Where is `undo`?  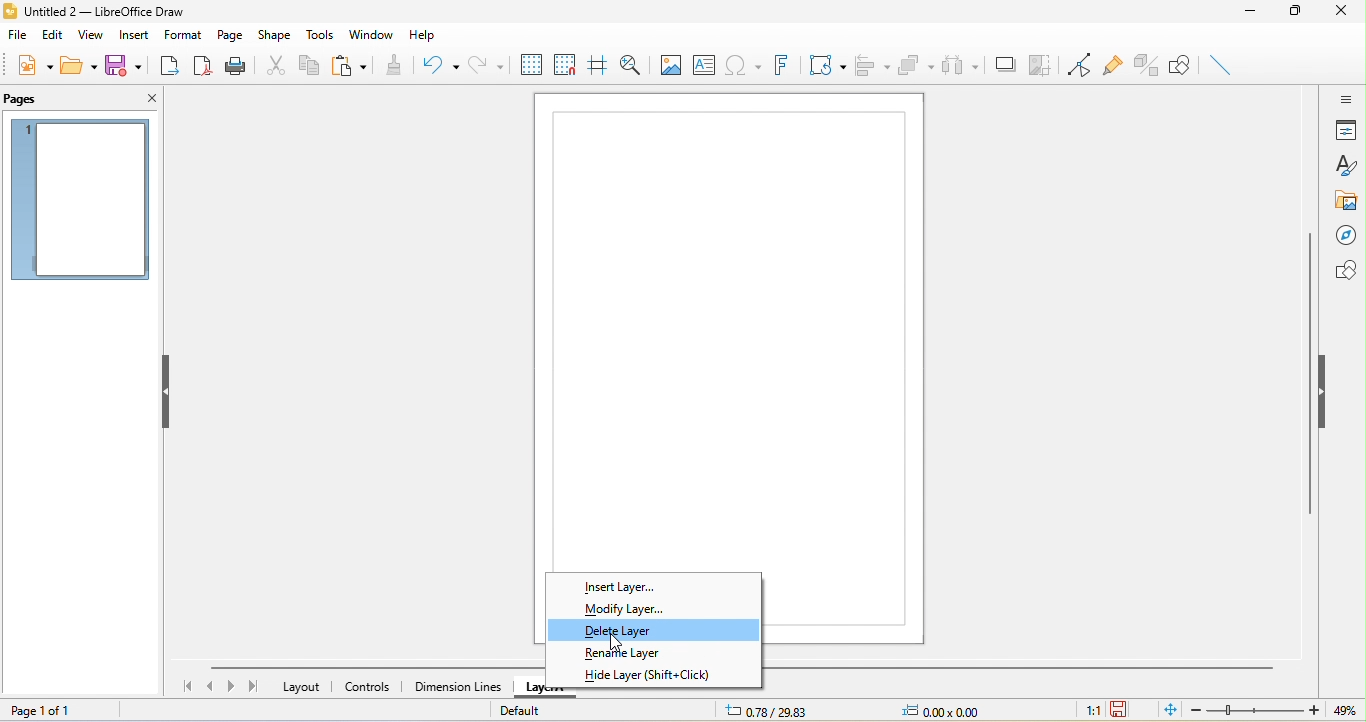
undo is located at coordinates (435, 66).